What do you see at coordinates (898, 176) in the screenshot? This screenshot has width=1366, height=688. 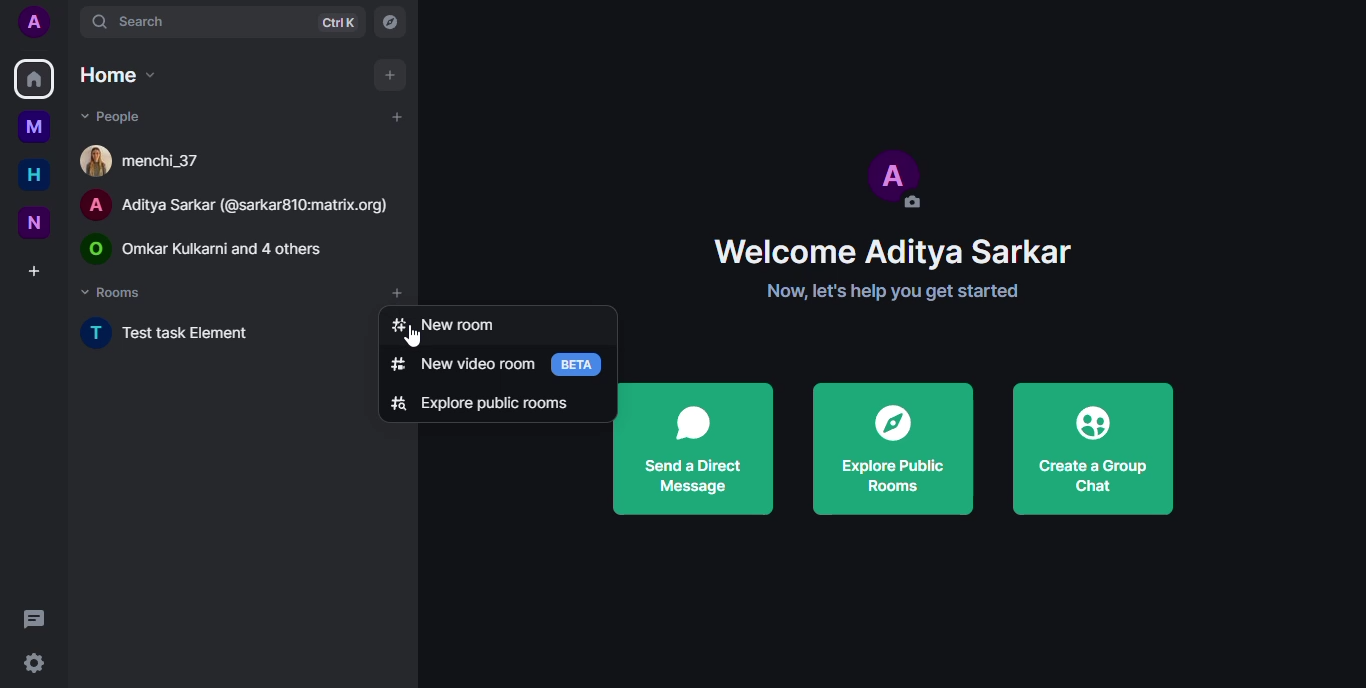 I see `profile` at bounding box center [898, 176].